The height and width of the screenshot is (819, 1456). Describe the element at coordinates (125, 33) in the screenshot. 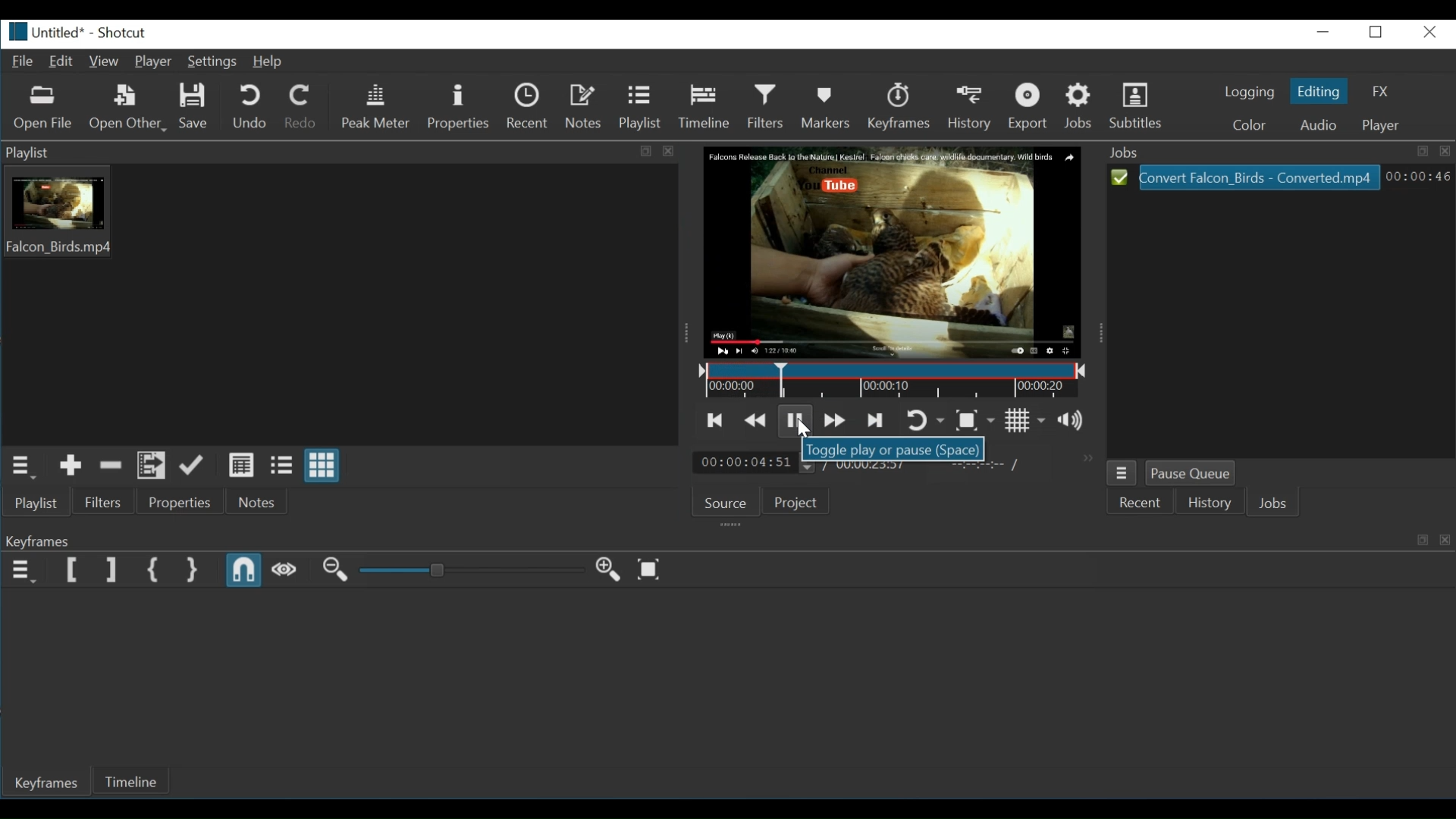

I see `Shotcut` at that location.